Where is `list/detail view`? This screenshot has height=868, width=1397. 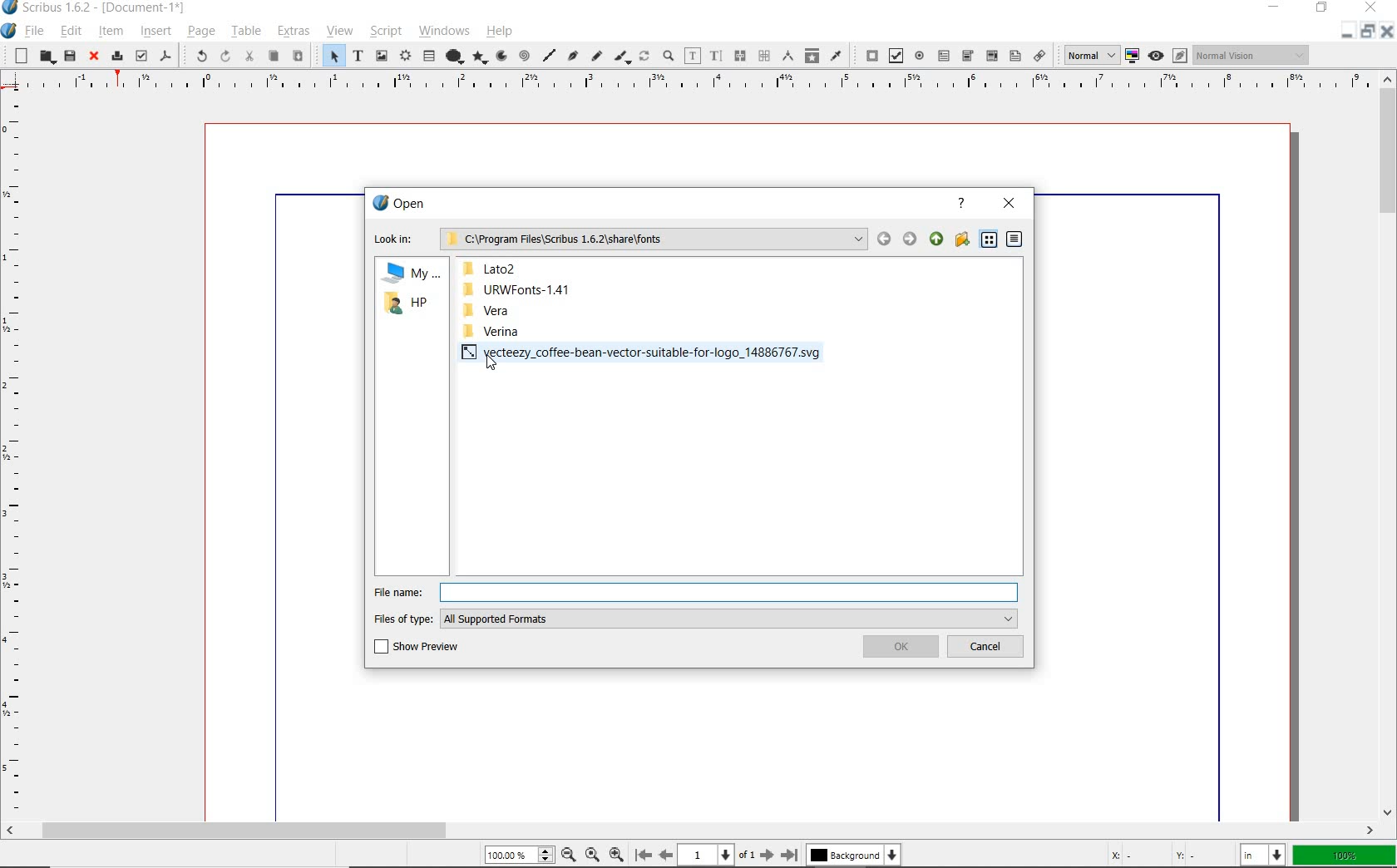 list/detail view is located at coordinates (1005, 239).